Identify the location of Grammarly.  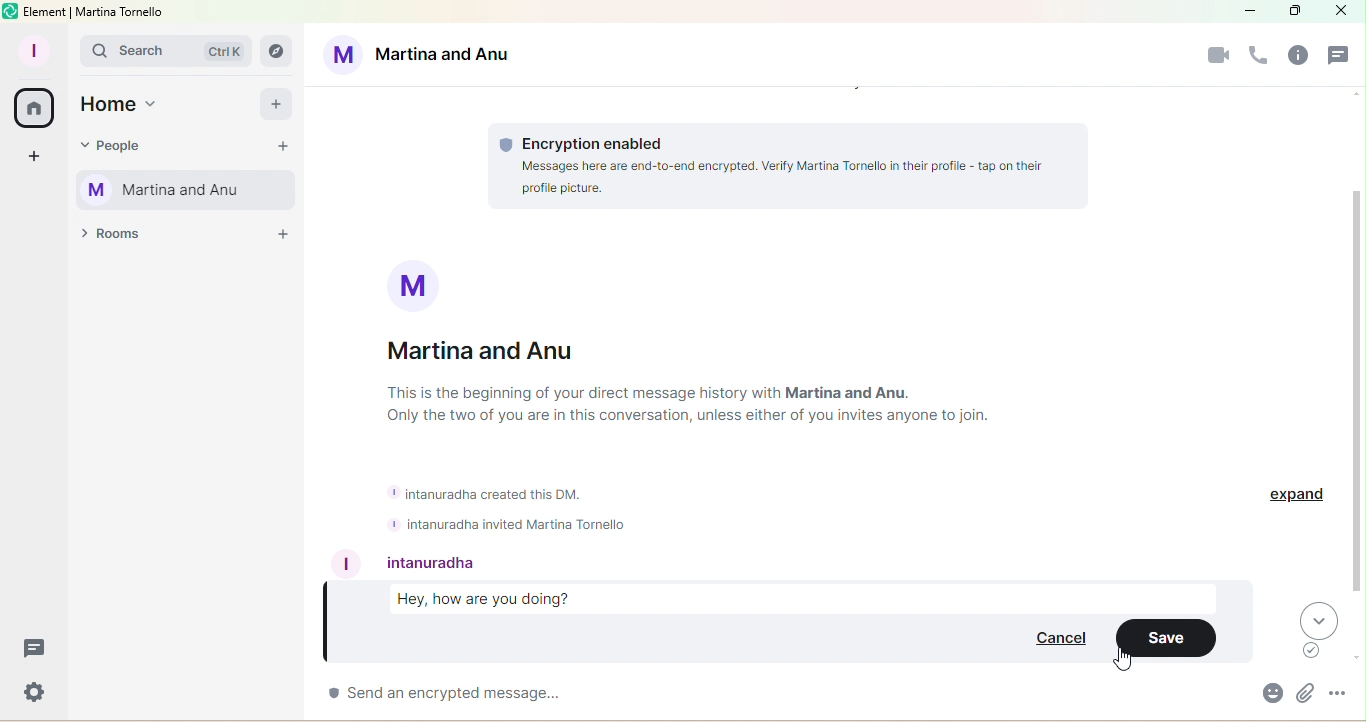
(1313, 651).